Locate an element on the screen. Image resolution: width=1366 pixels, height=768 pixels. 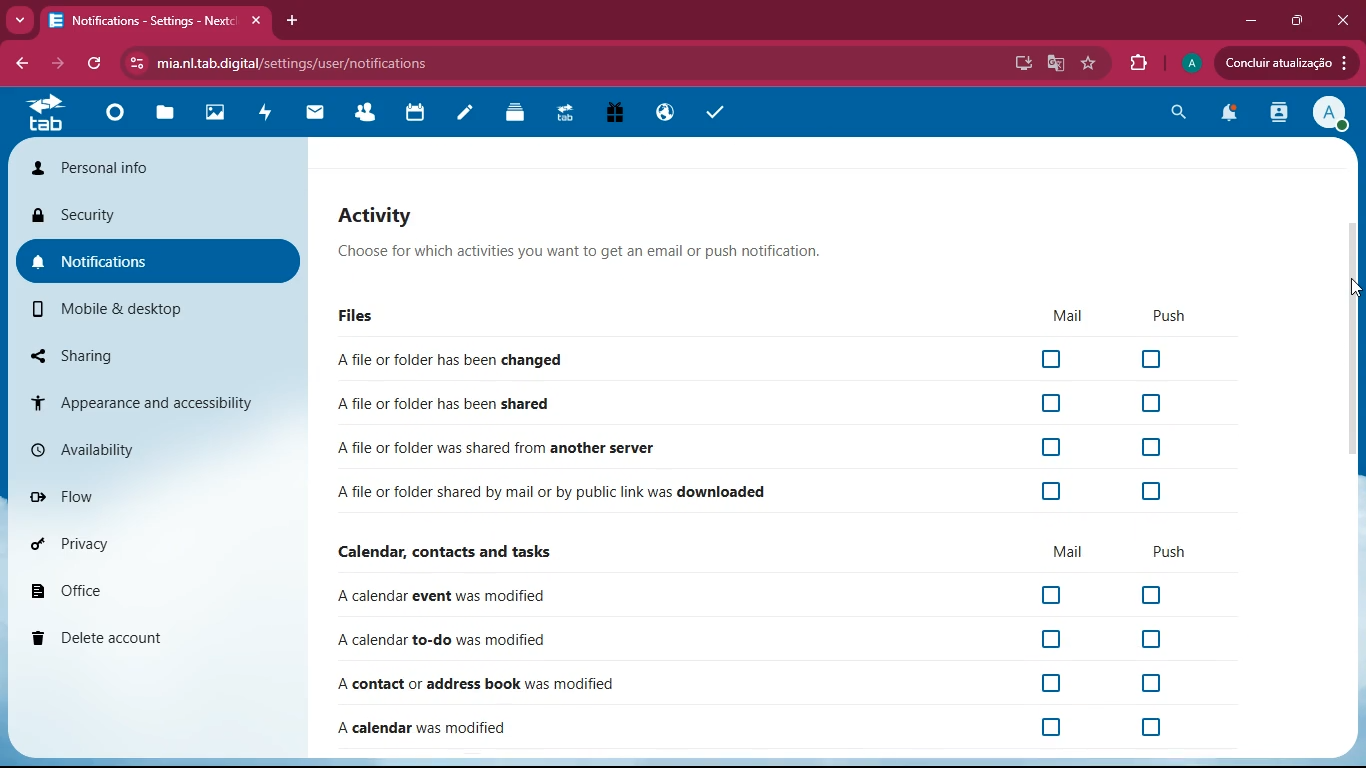
friends is located at coordinates (366, 109).